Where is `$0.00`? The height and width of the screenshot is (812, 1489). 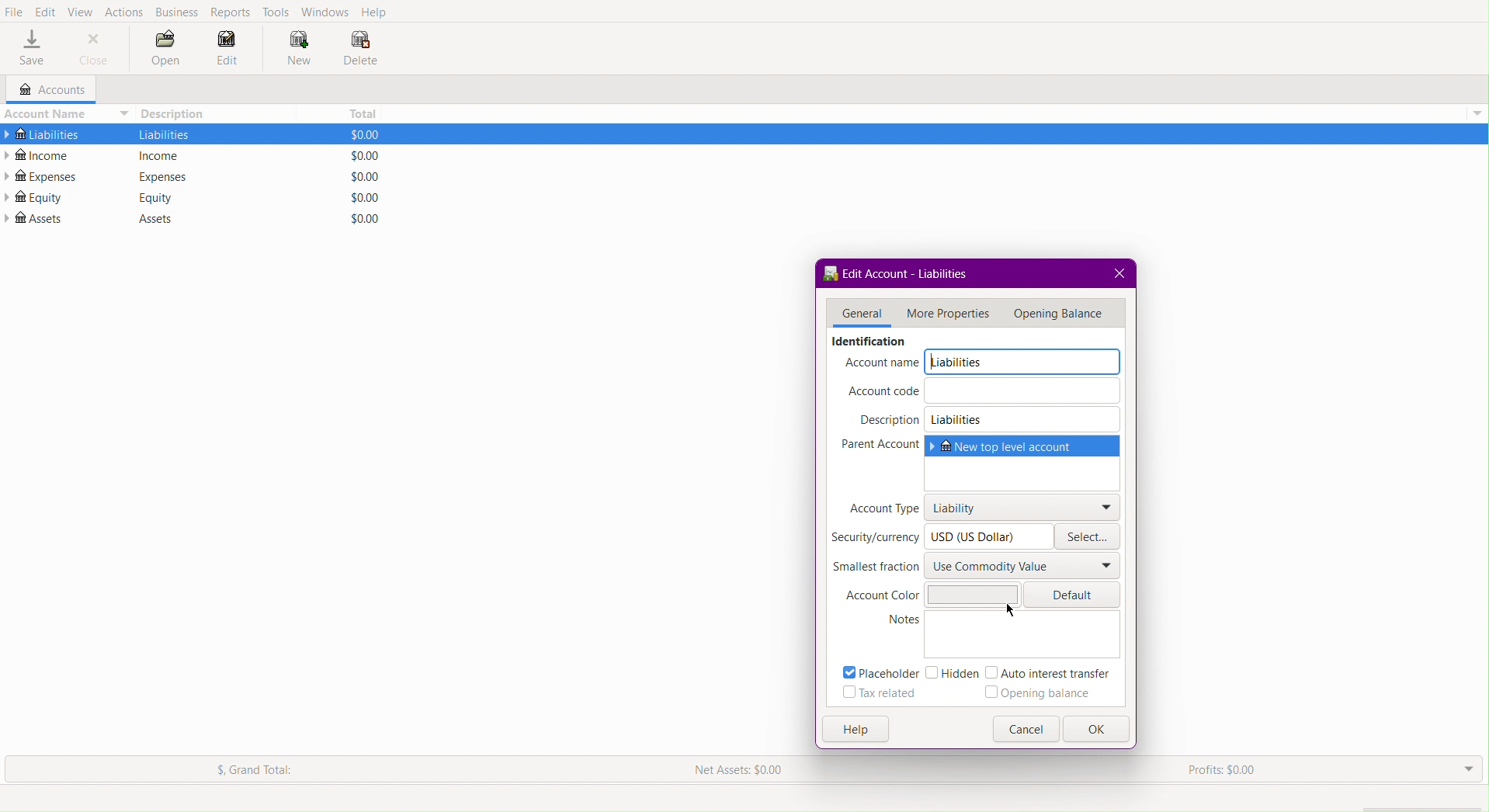
$0.00 is located at coordinates (359, 155).